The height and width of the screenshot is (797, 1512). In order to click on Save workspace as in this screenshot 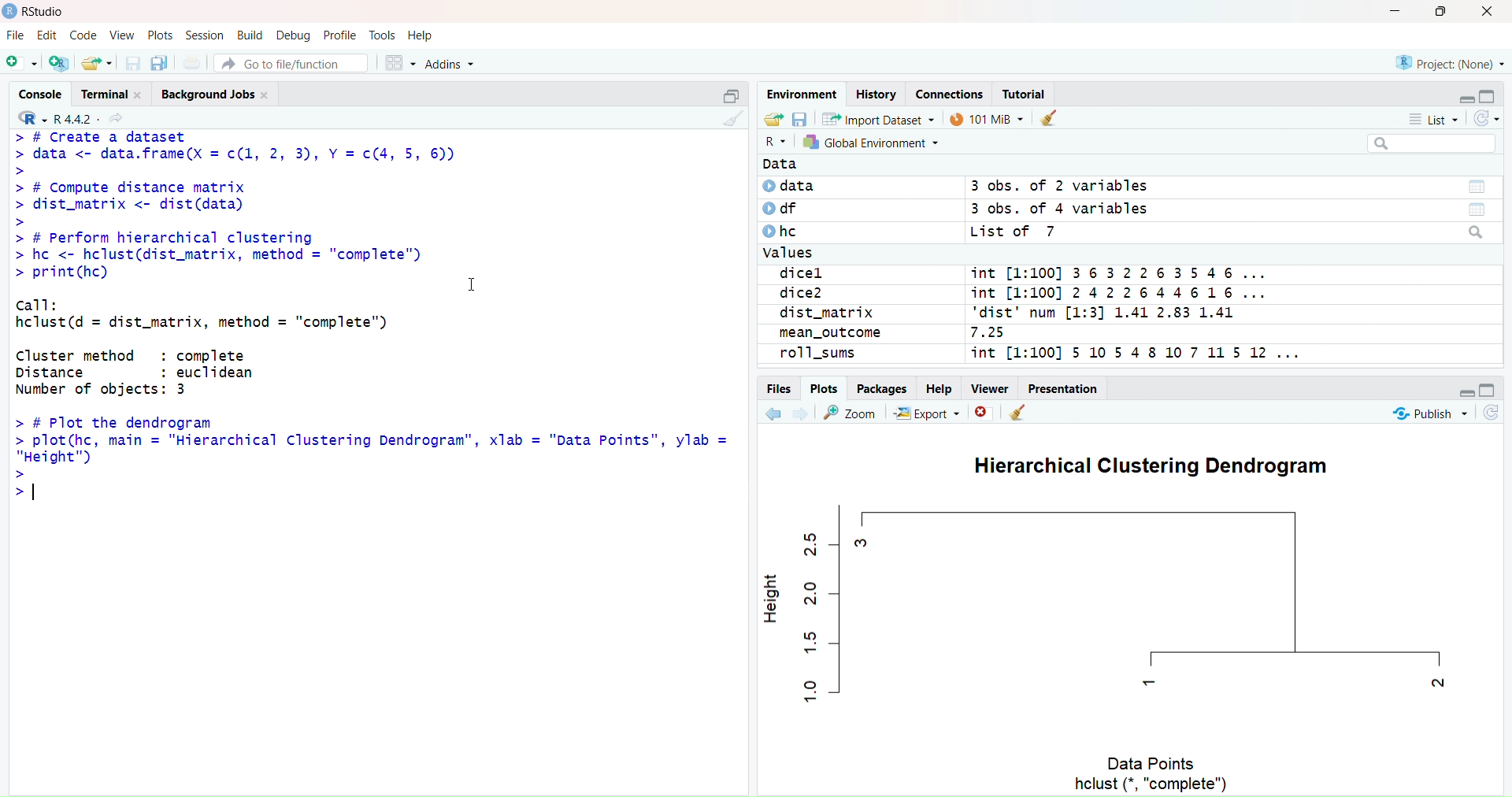, I will do `click(802, 117)`.